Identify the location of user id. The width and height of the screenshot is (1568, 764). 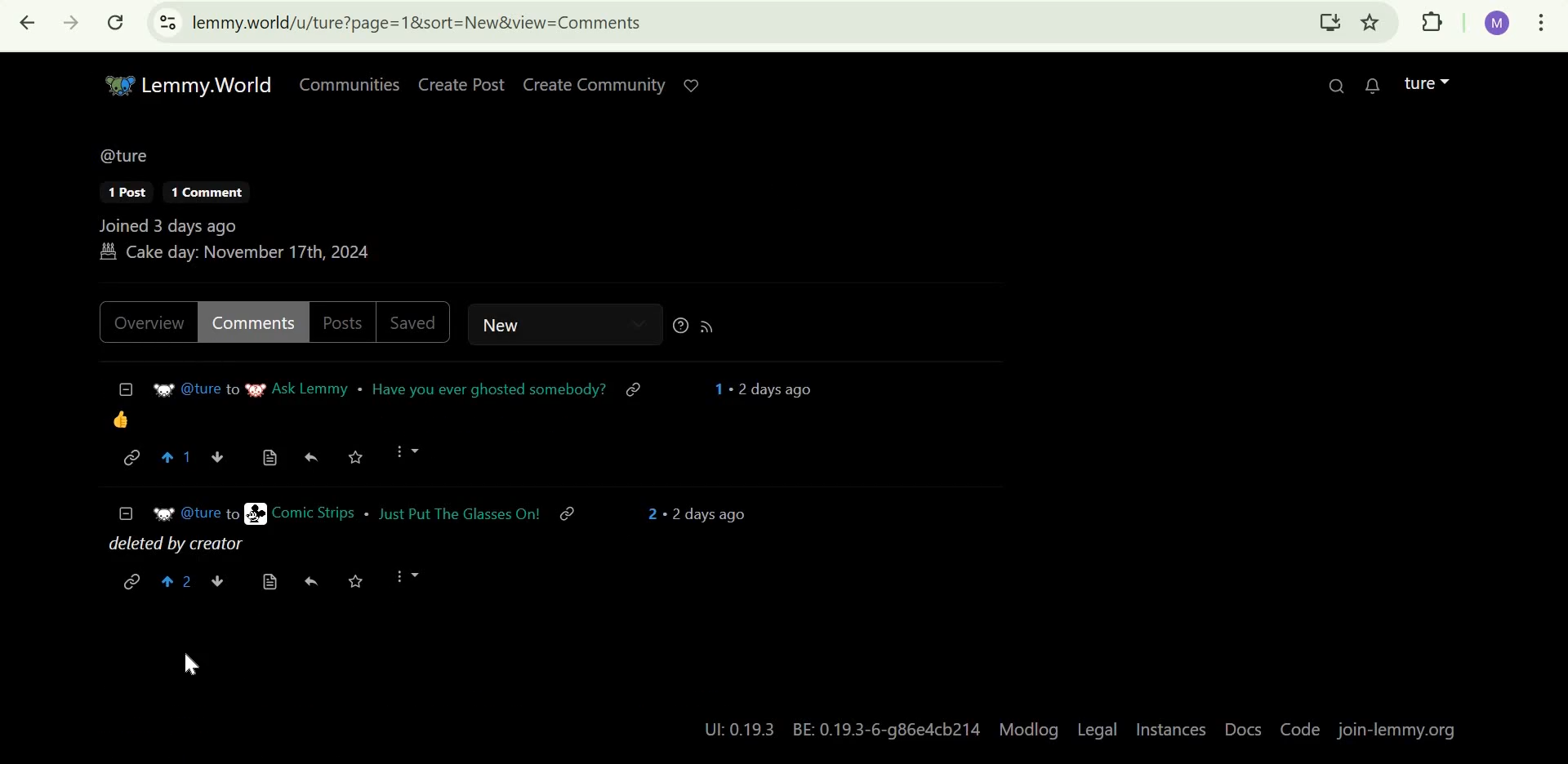
(195, 391).